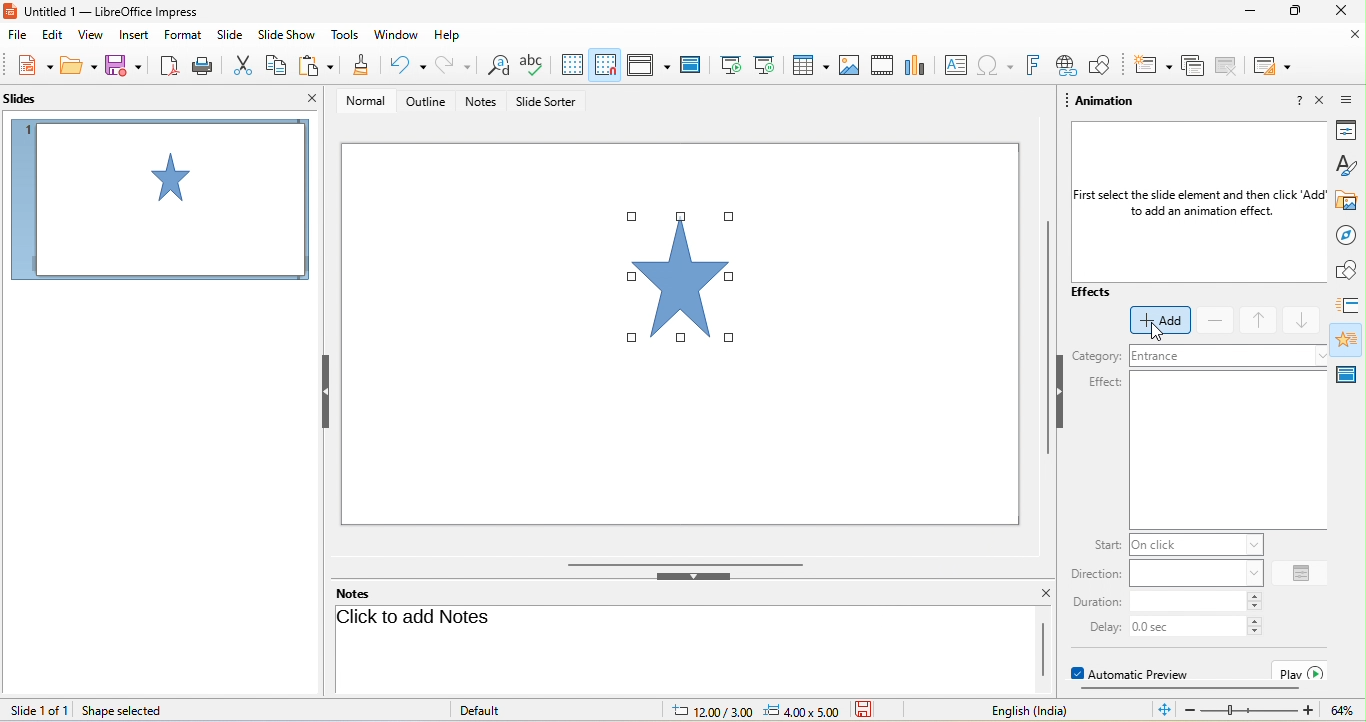 This screenshot has width=1366, height=722. Describe the element at coordinates (1348, 98) in the screenshot. I see `sidebar setting` at that location.